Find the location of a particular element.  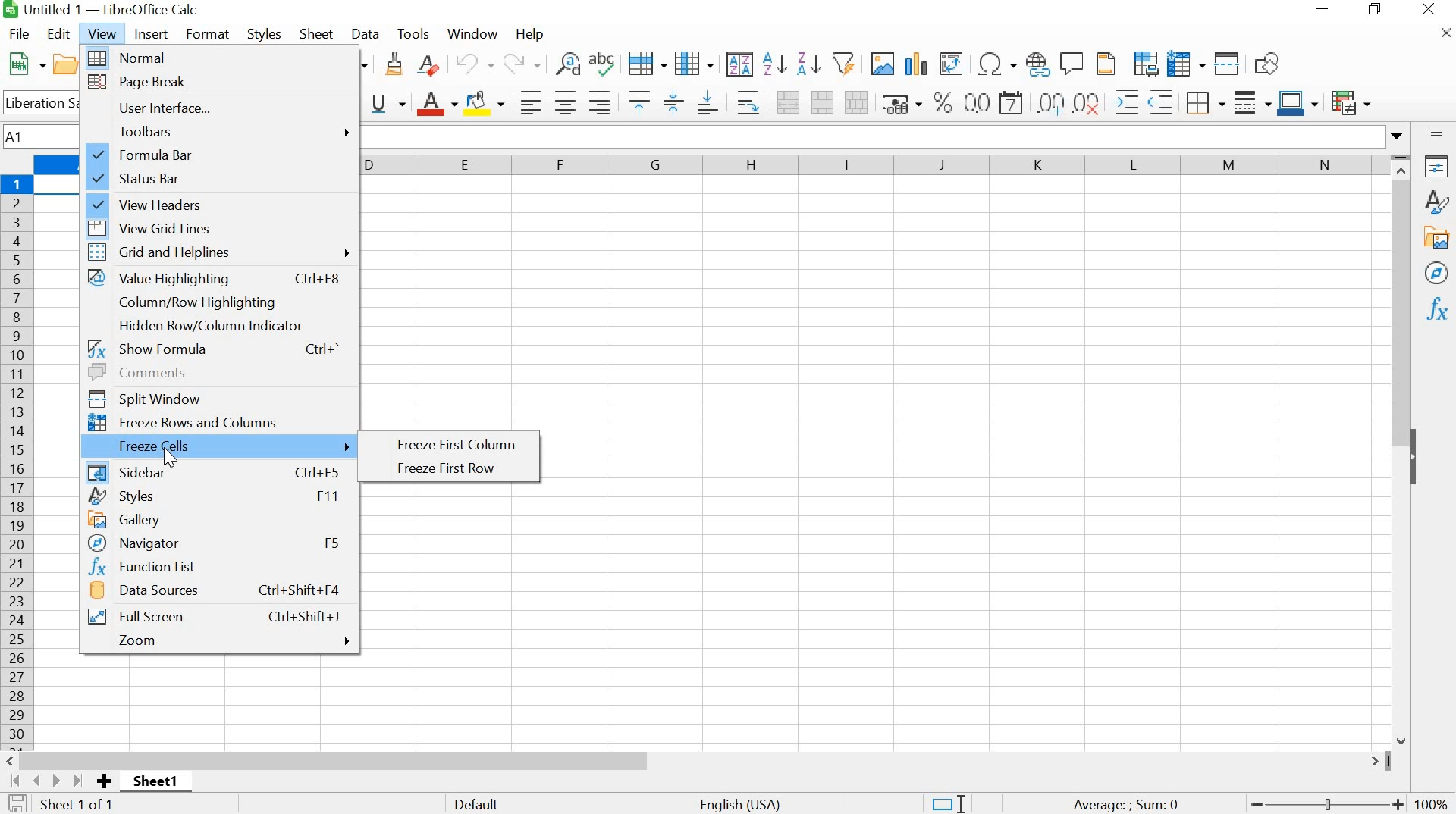

CONDITIONAL is located at coordinates (1354, 100).